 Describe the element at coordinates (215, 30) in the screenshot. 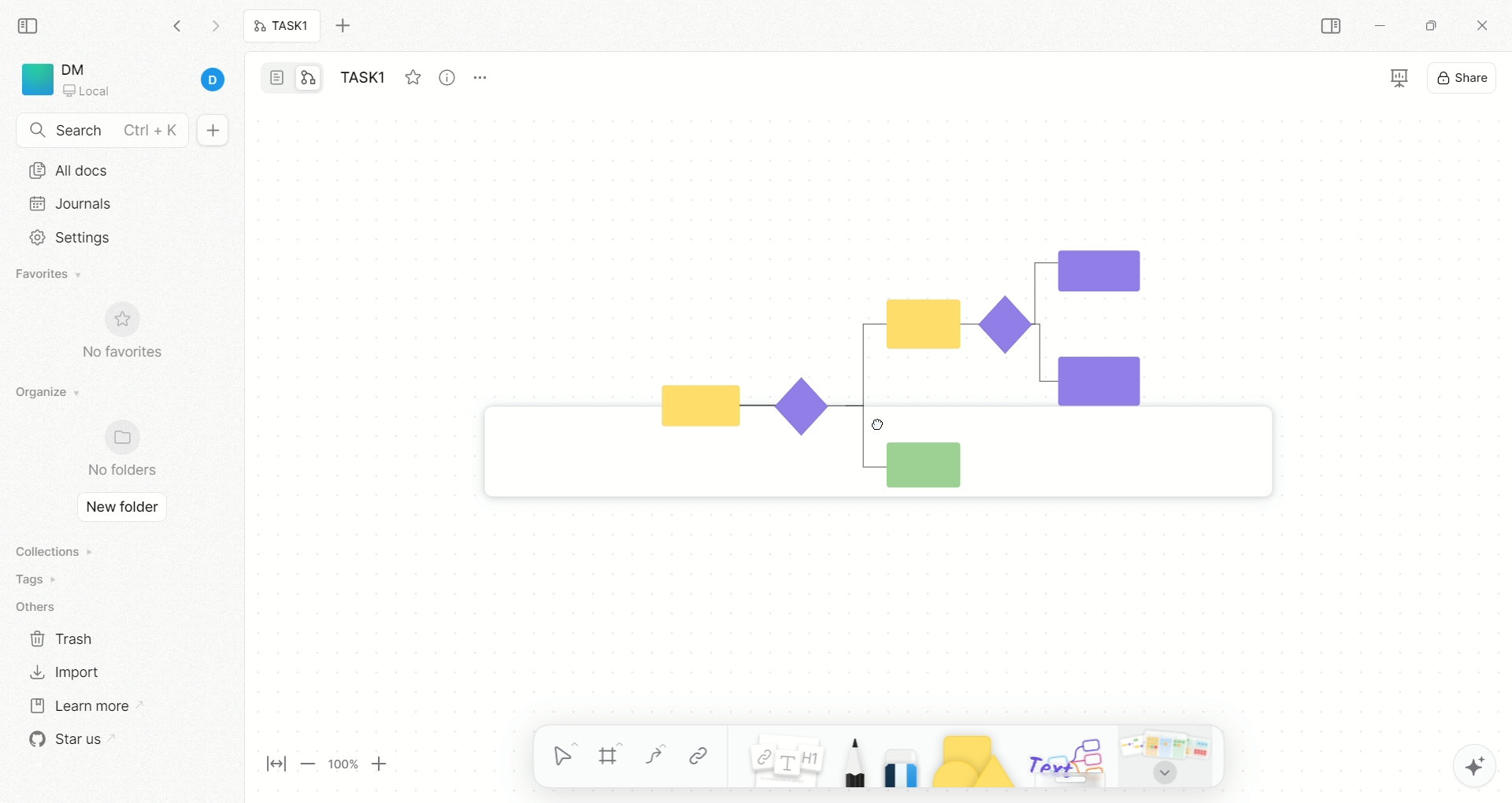

I see `go forward` at that location.